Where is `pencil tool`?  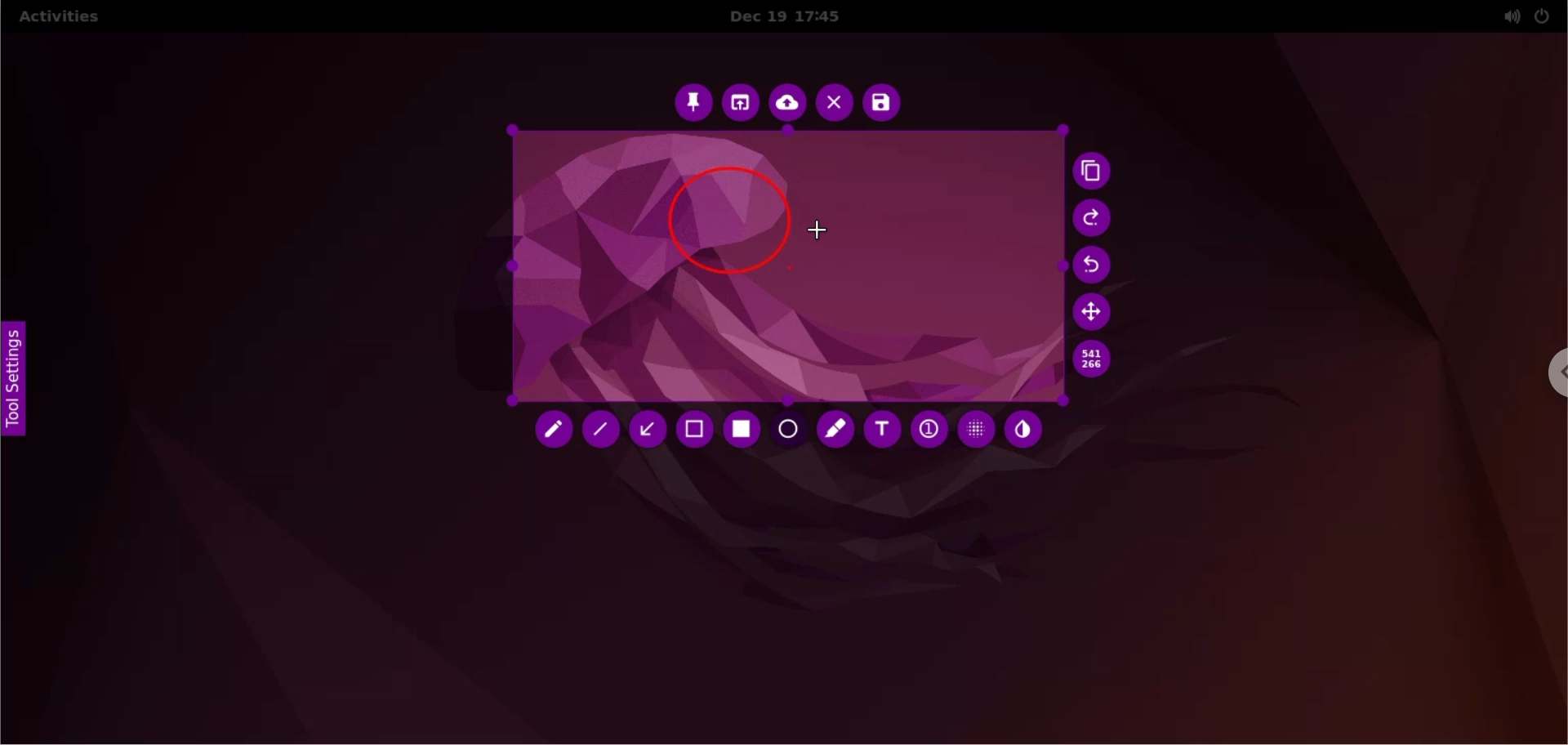 pencil tool is located at coordinates (555, 433).